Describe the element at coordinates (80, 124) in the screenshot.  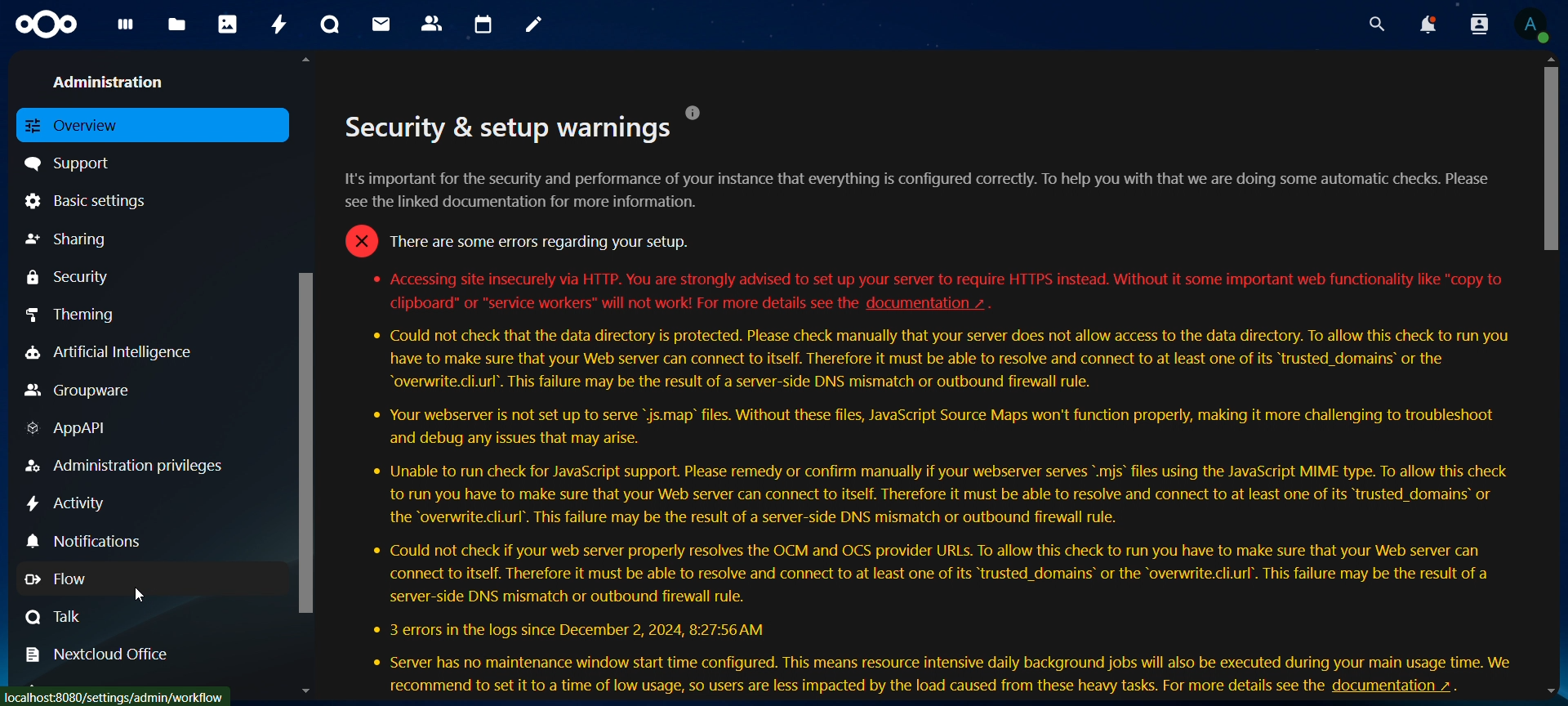
I see `overview` at that location.